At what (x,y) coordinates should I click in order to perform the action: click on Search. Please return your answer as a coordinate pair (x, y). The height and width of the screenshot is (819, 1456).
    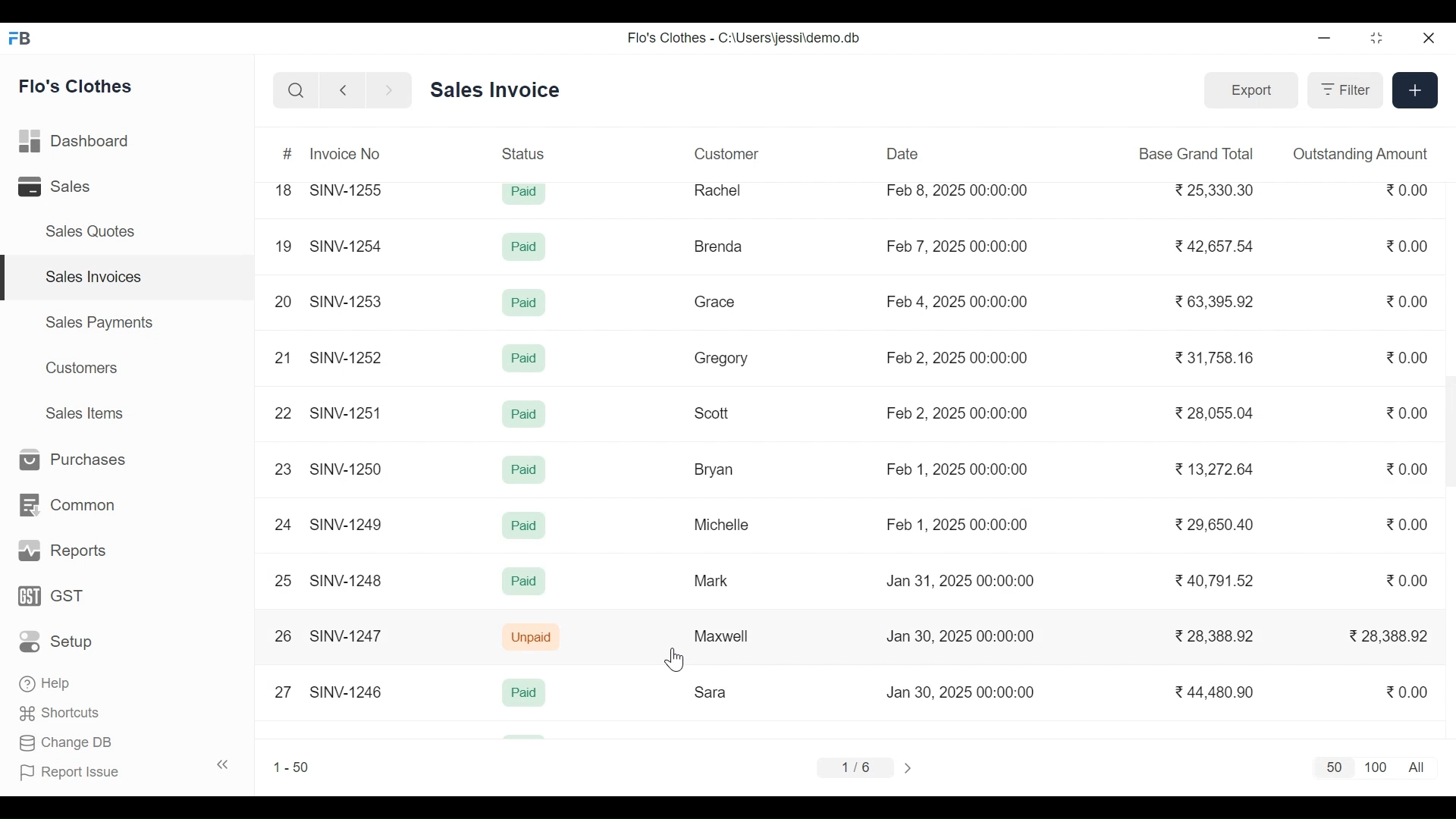
    Looking at the image, I should click on (296, 91).